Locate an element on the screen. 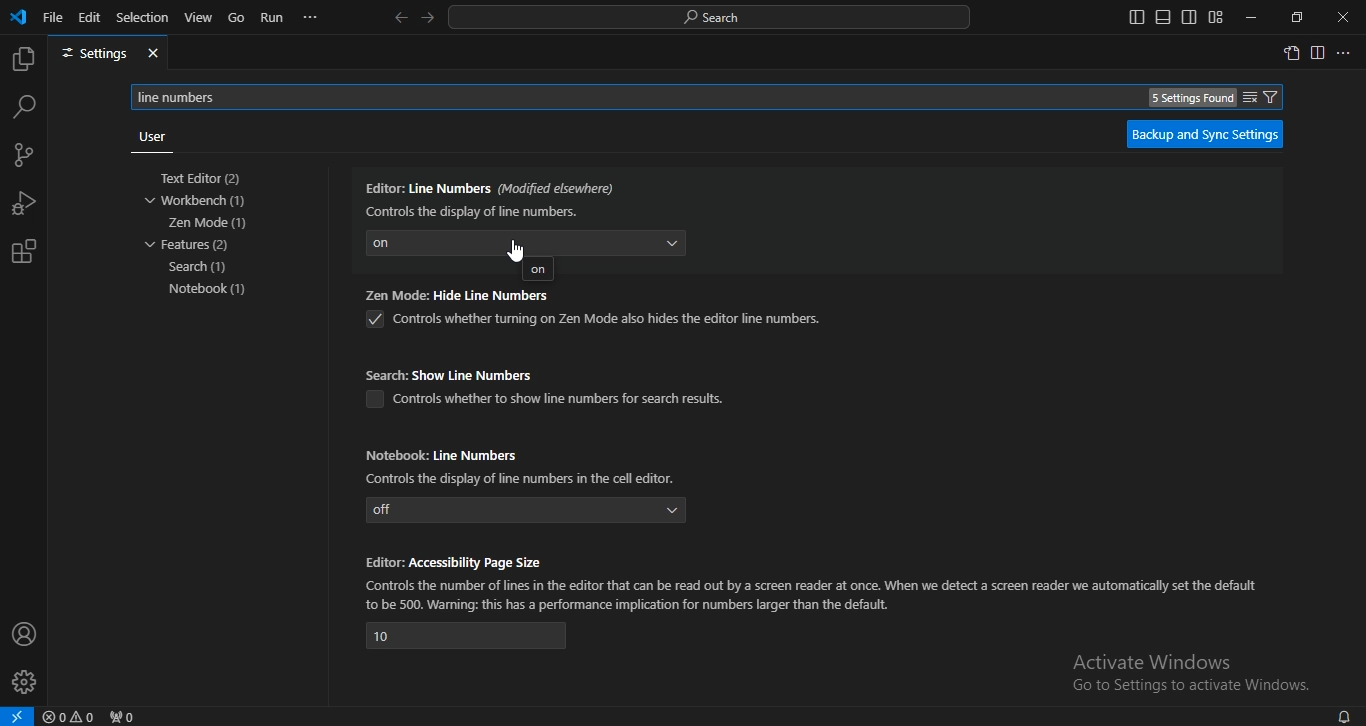 The image size is (1366, 726). backup and sync settings is located at coordinates (1204, 134).